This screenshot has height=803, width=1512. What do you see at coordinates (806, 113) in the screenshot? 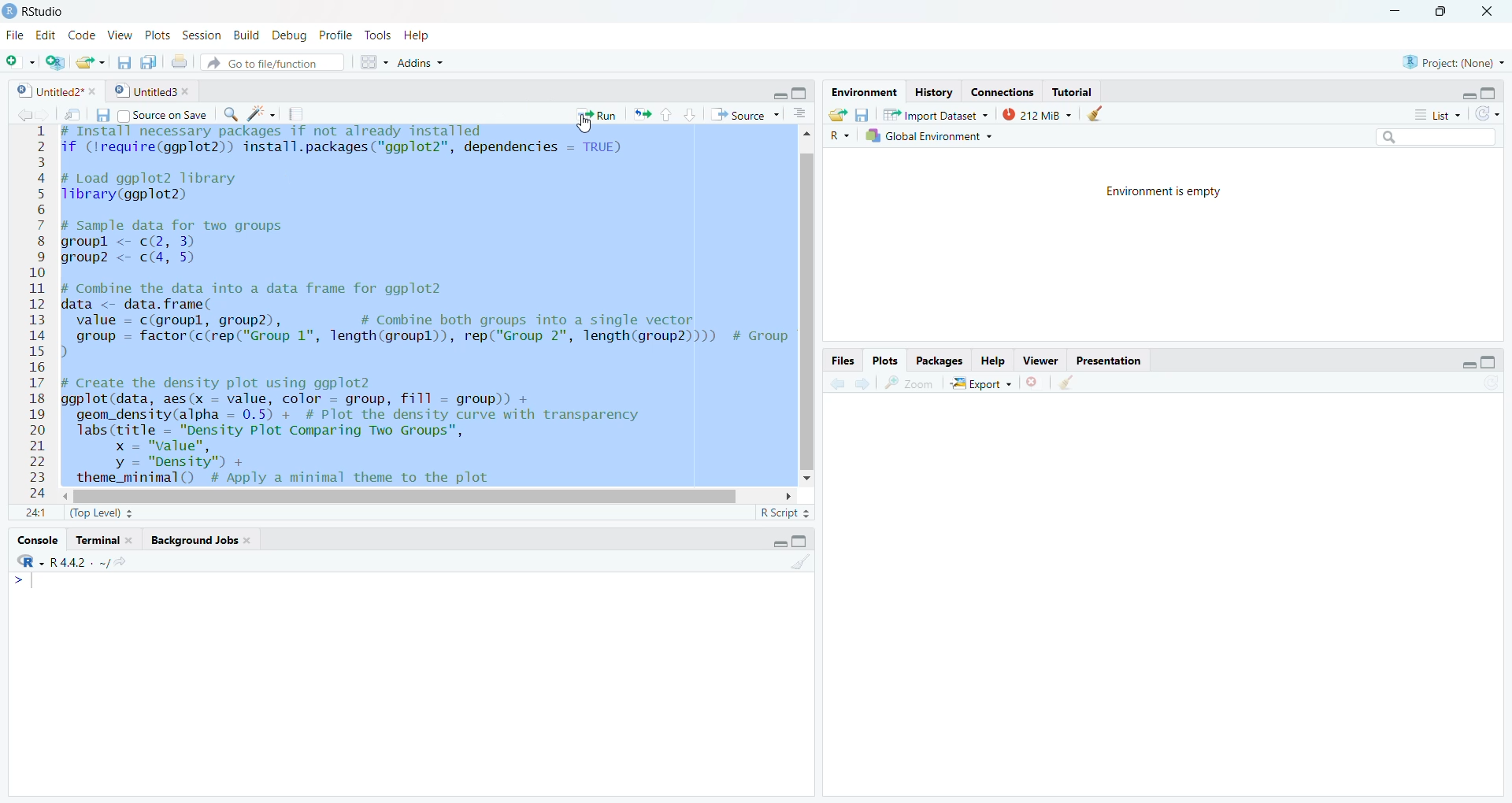
I see `` at bounding box center [806, 113].